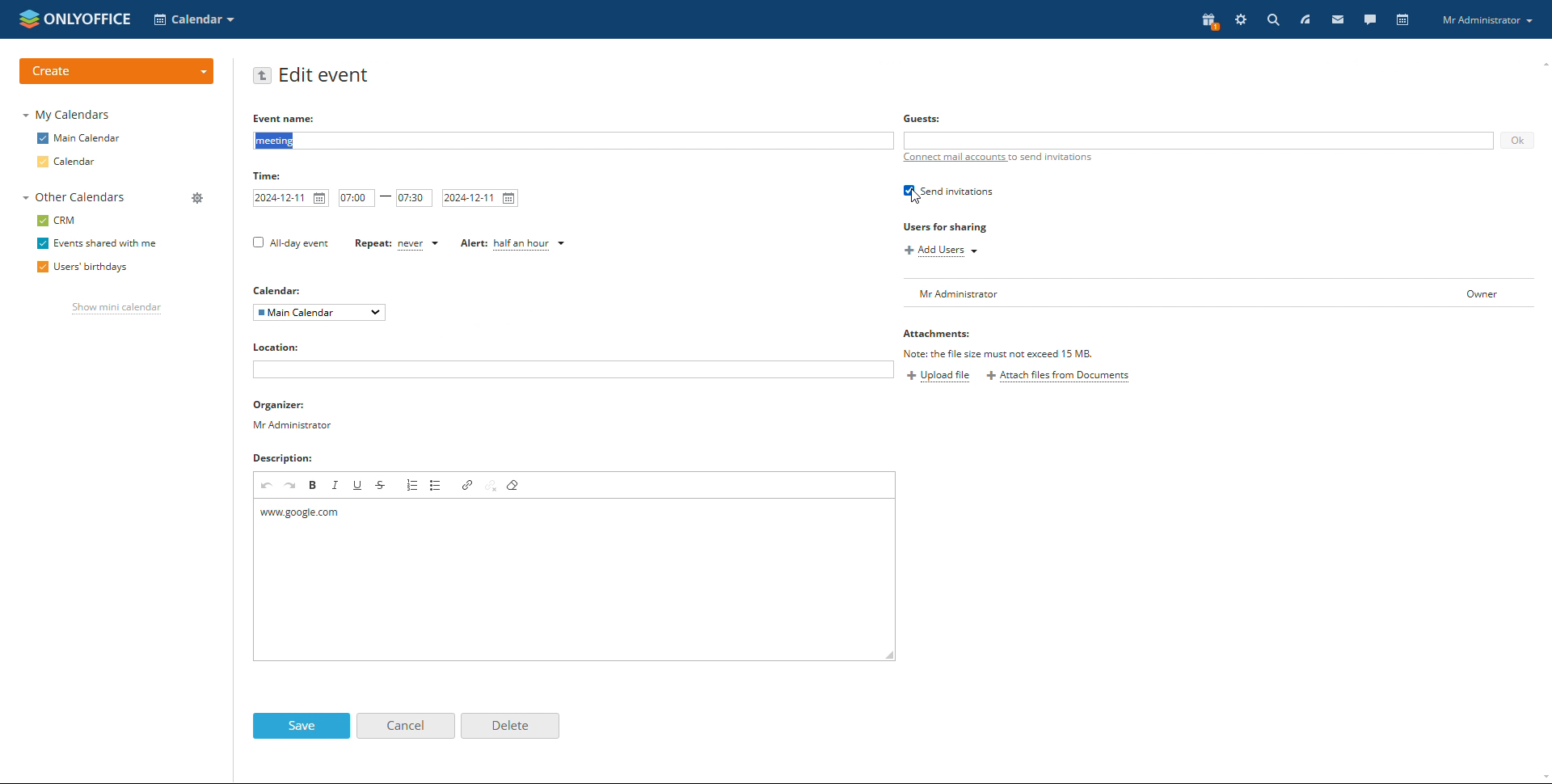  I want to click on organizer, so click(295, 415).